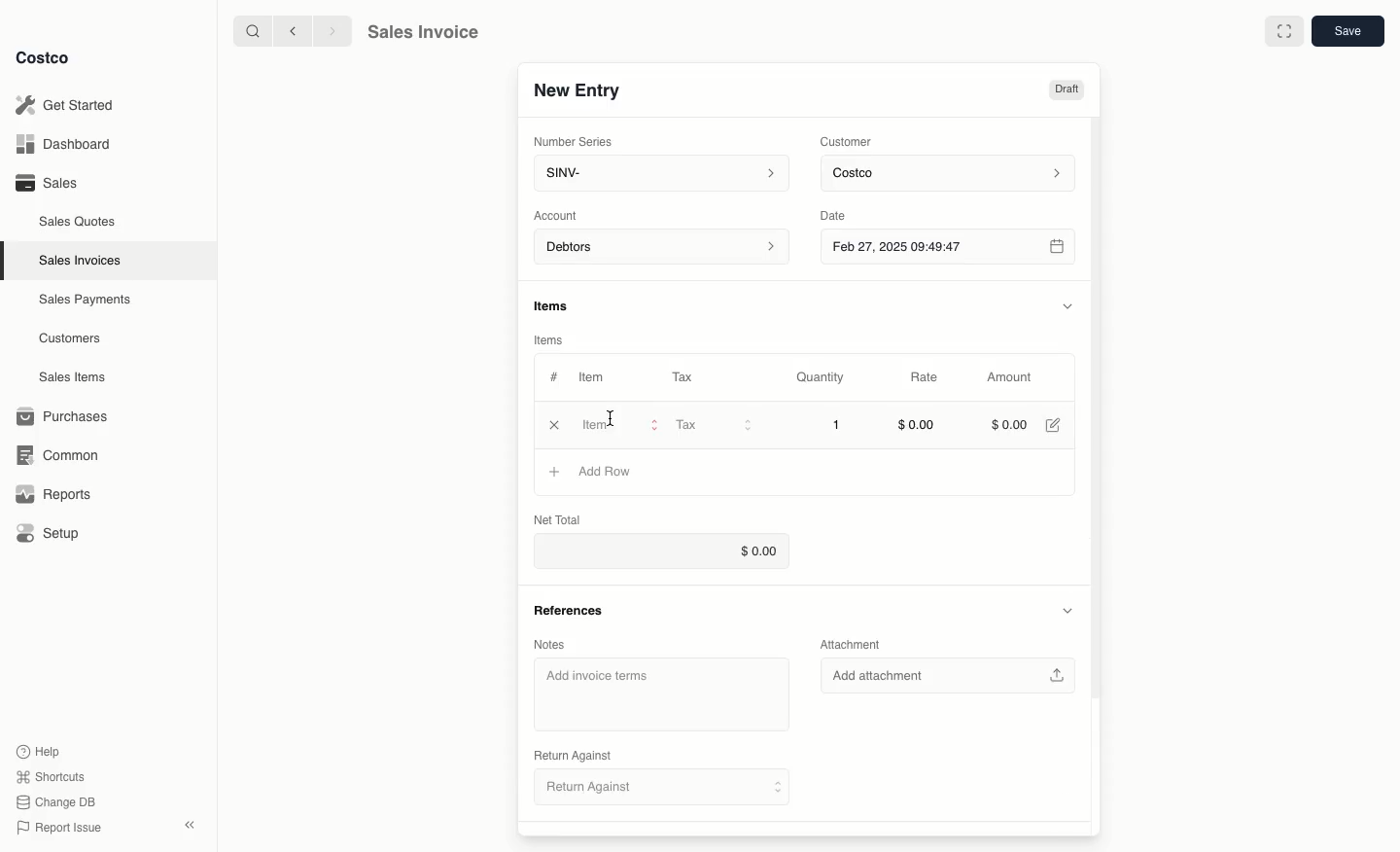 The width and height of the screenshot is (1400, 852). Describe the element at coordinates (617, 416) in the screenshot. I see `cursor` at that location.